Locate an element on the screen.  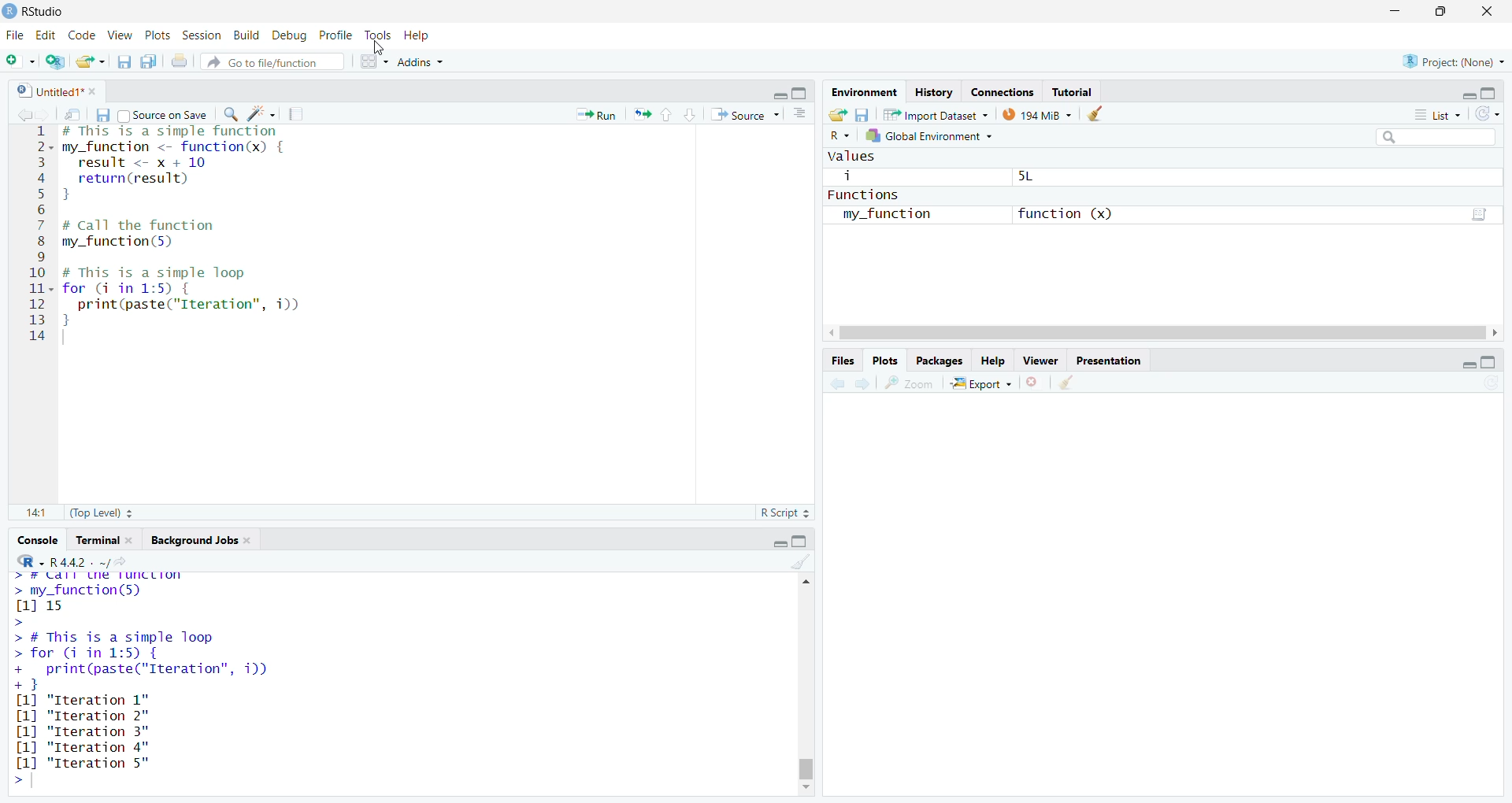
R 4.4.2 . ~/ is located at coordinates (80, 561).